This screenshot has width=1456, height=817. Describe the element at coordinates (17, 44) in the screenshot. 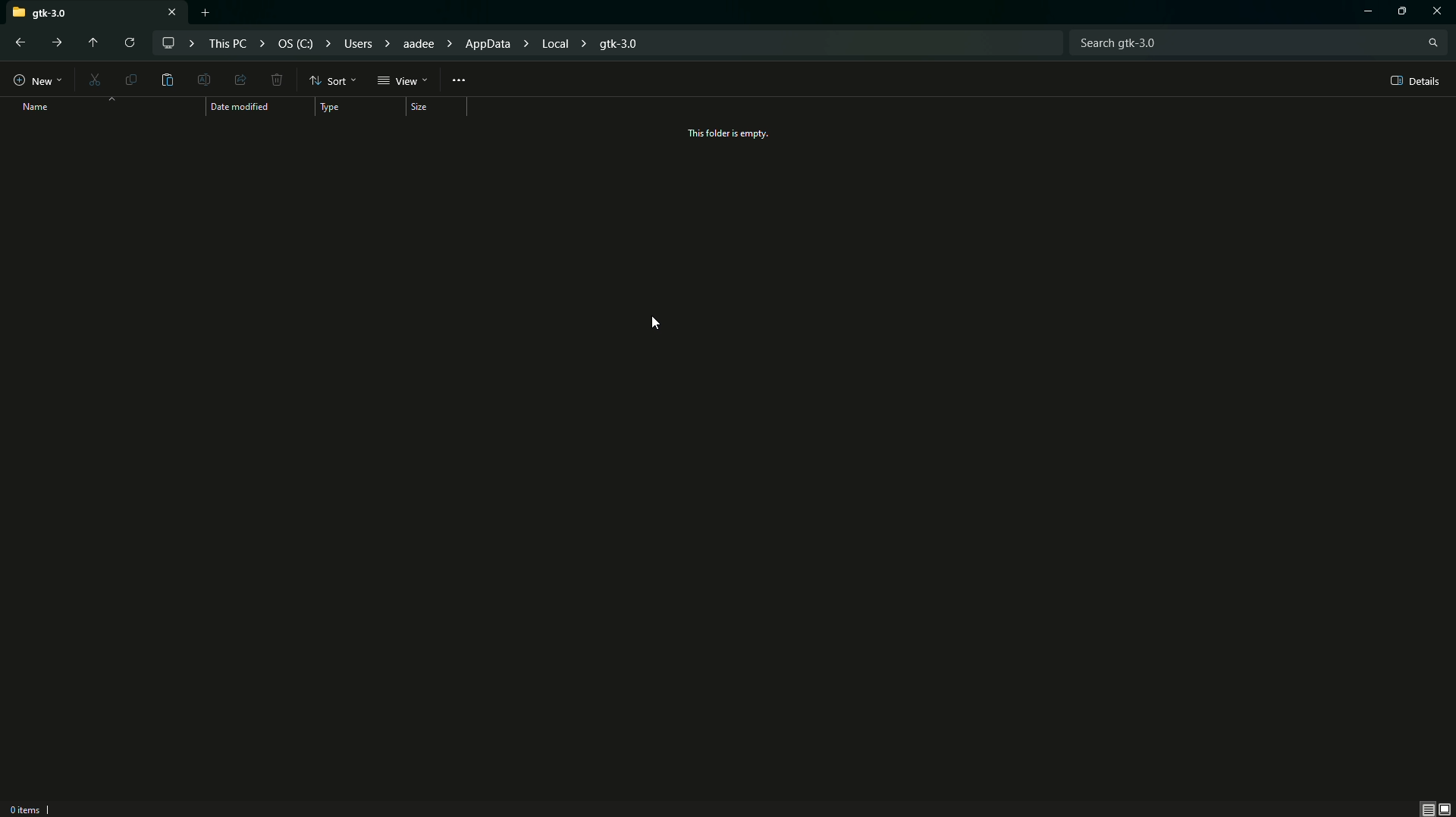

I see `Back` at that location.